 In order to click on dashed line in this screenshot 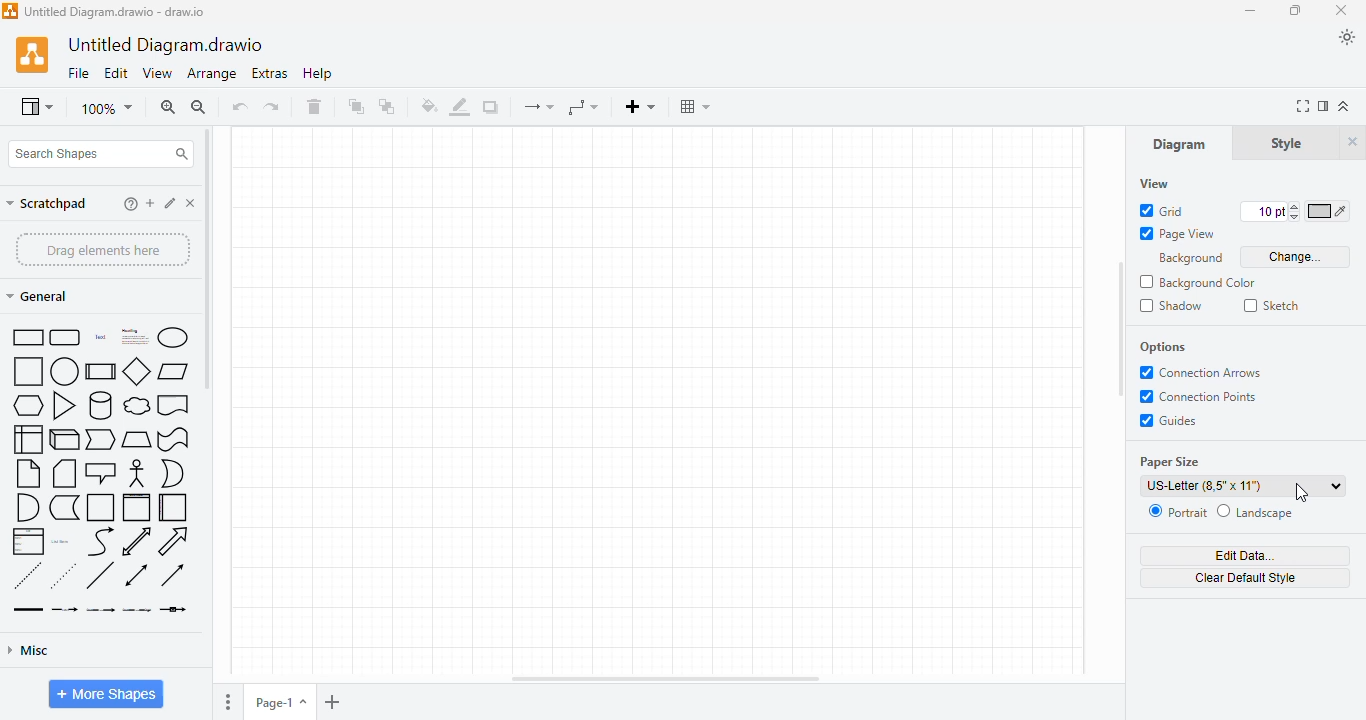, I will do `click(27, 575)`.